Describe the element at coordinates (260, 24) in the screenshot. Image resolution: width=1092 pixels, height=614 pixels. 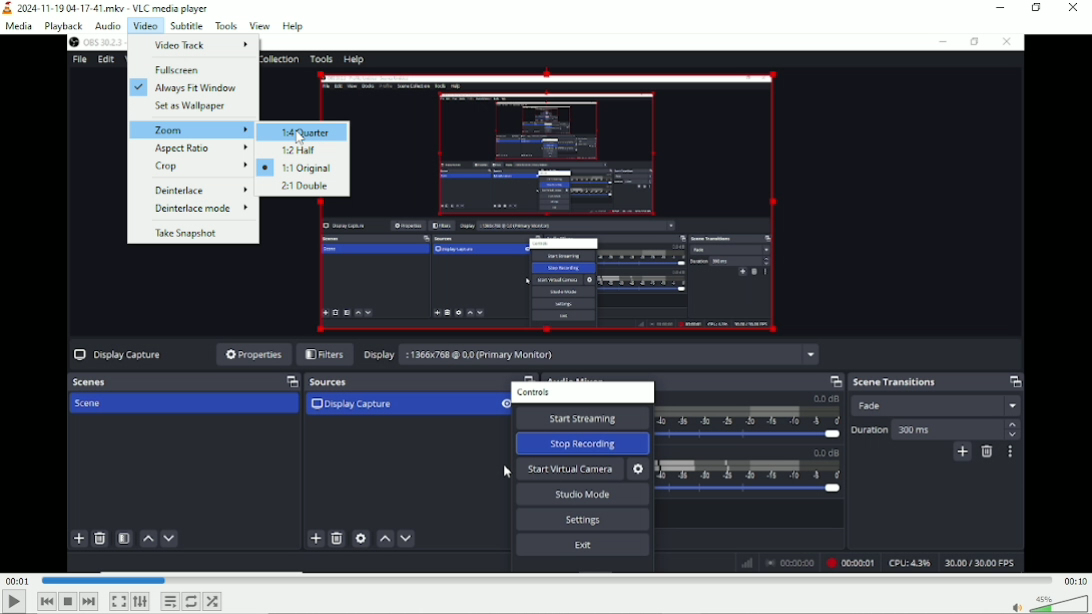
I see `View` at that location.